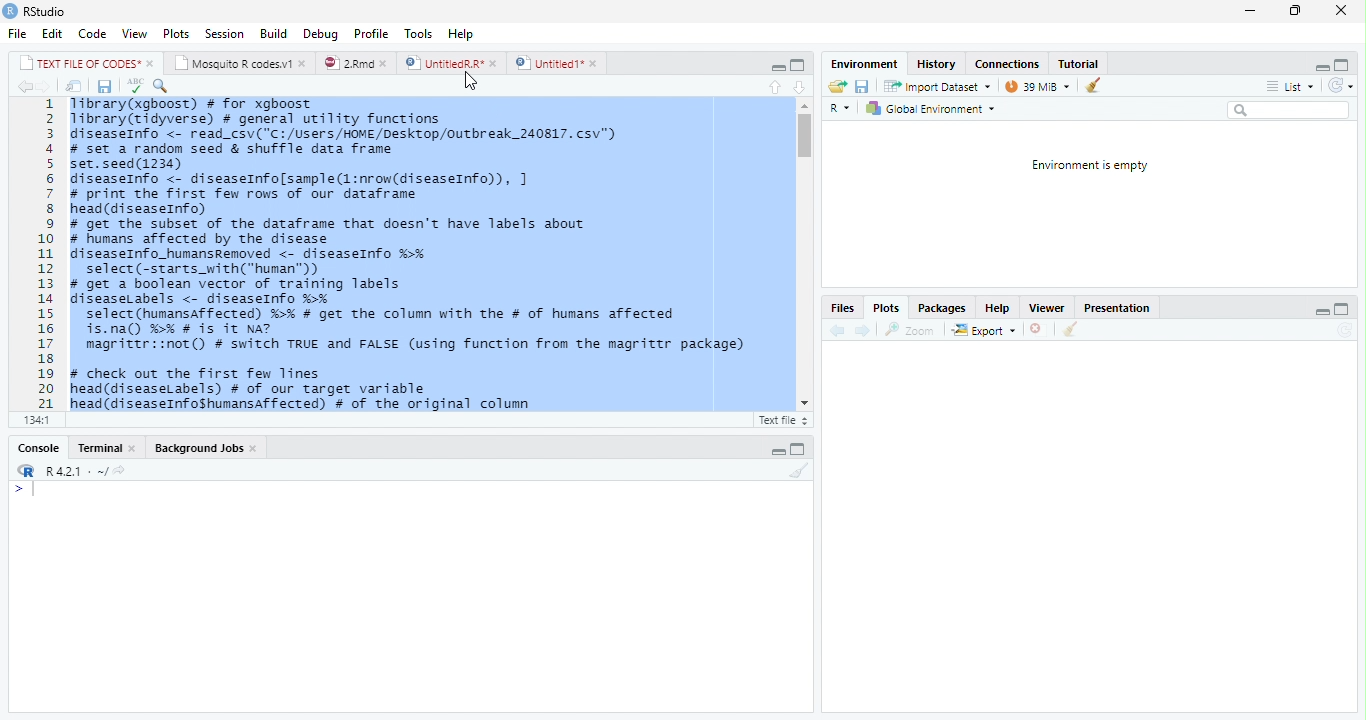 The height and width of the screenshot is (720, 1366). I want to click on Plots, so click(174, 33).